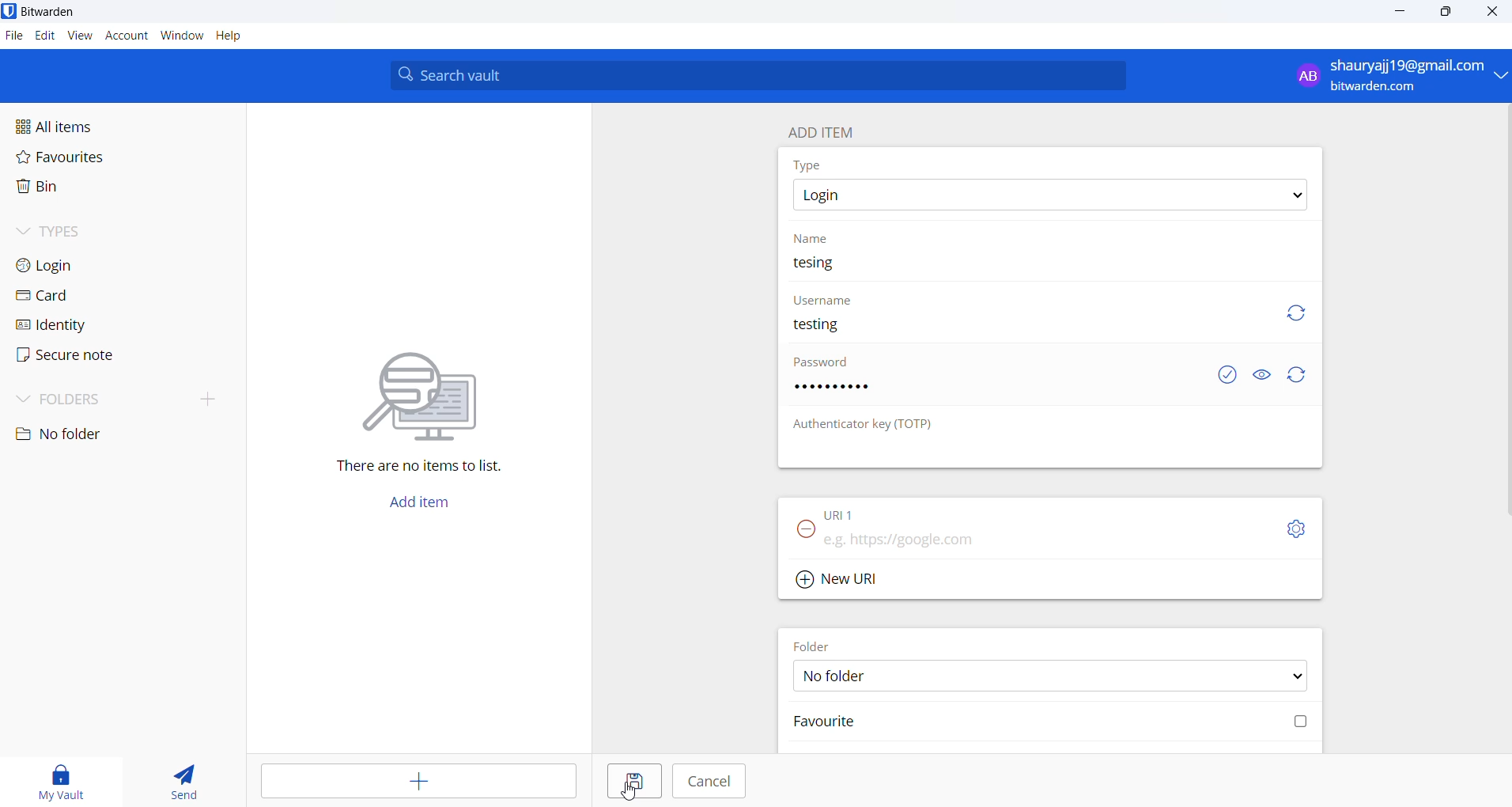  What do you see at coordinates (1230, 375) in the screenshot?
I see `check if password is exposed or not` at bounding box center [1230, 375].